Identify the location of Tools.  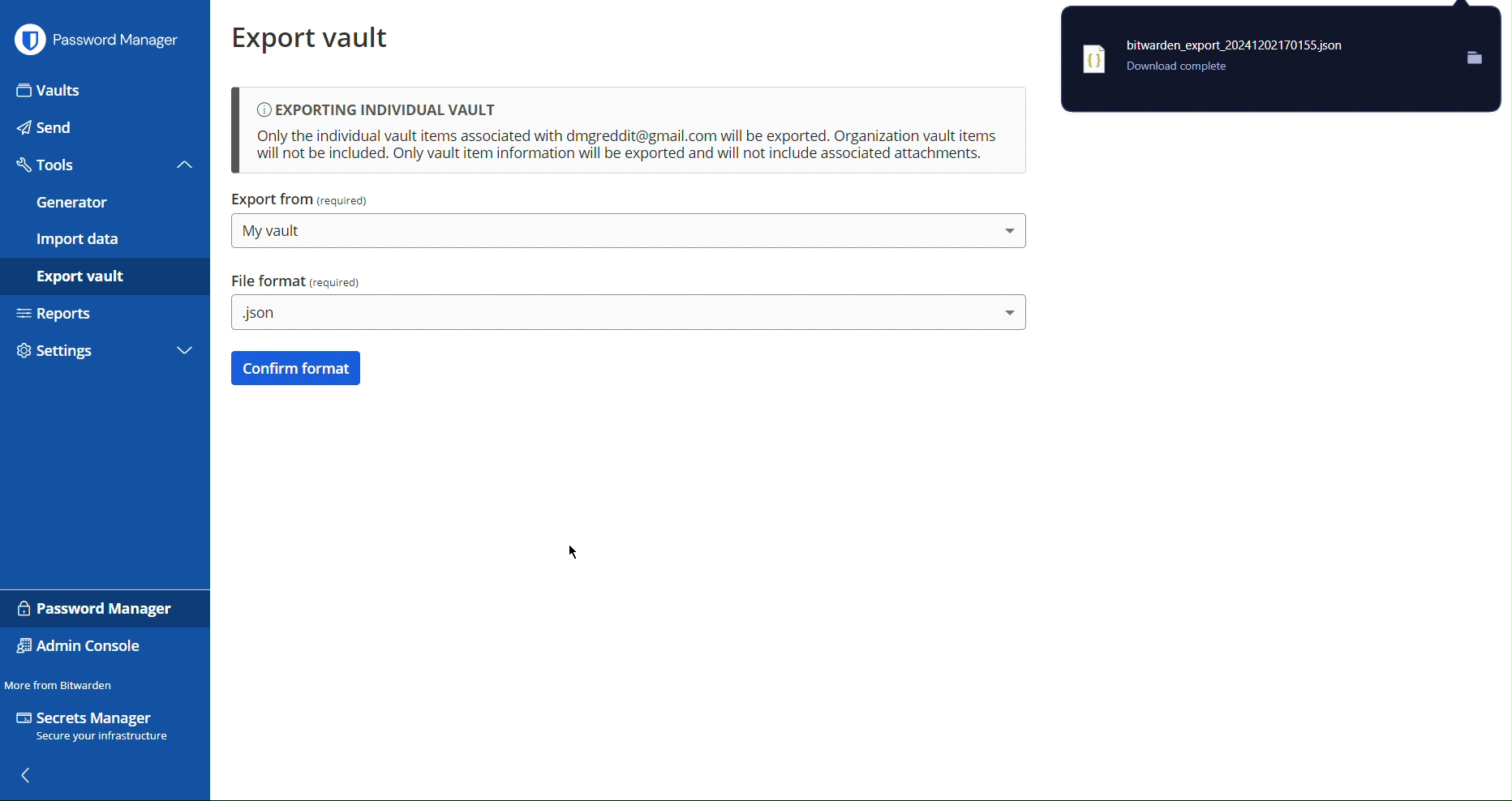
(102, 168).